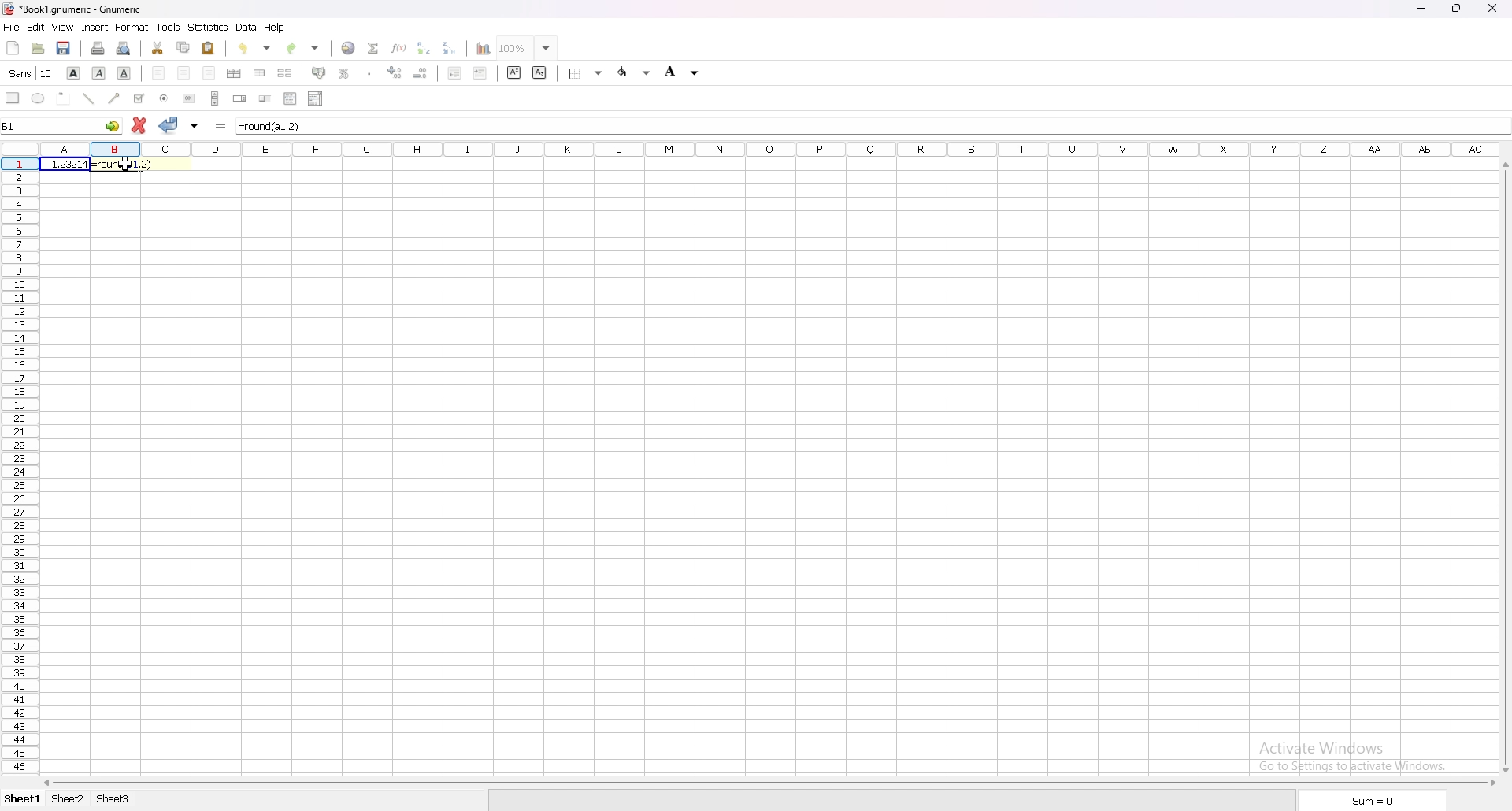 This screenshot has height=811, width=1512. What do you see at coordinates (284, 73) in the screenshot?
I see `split merged cells` at bounding box center [284, 73].